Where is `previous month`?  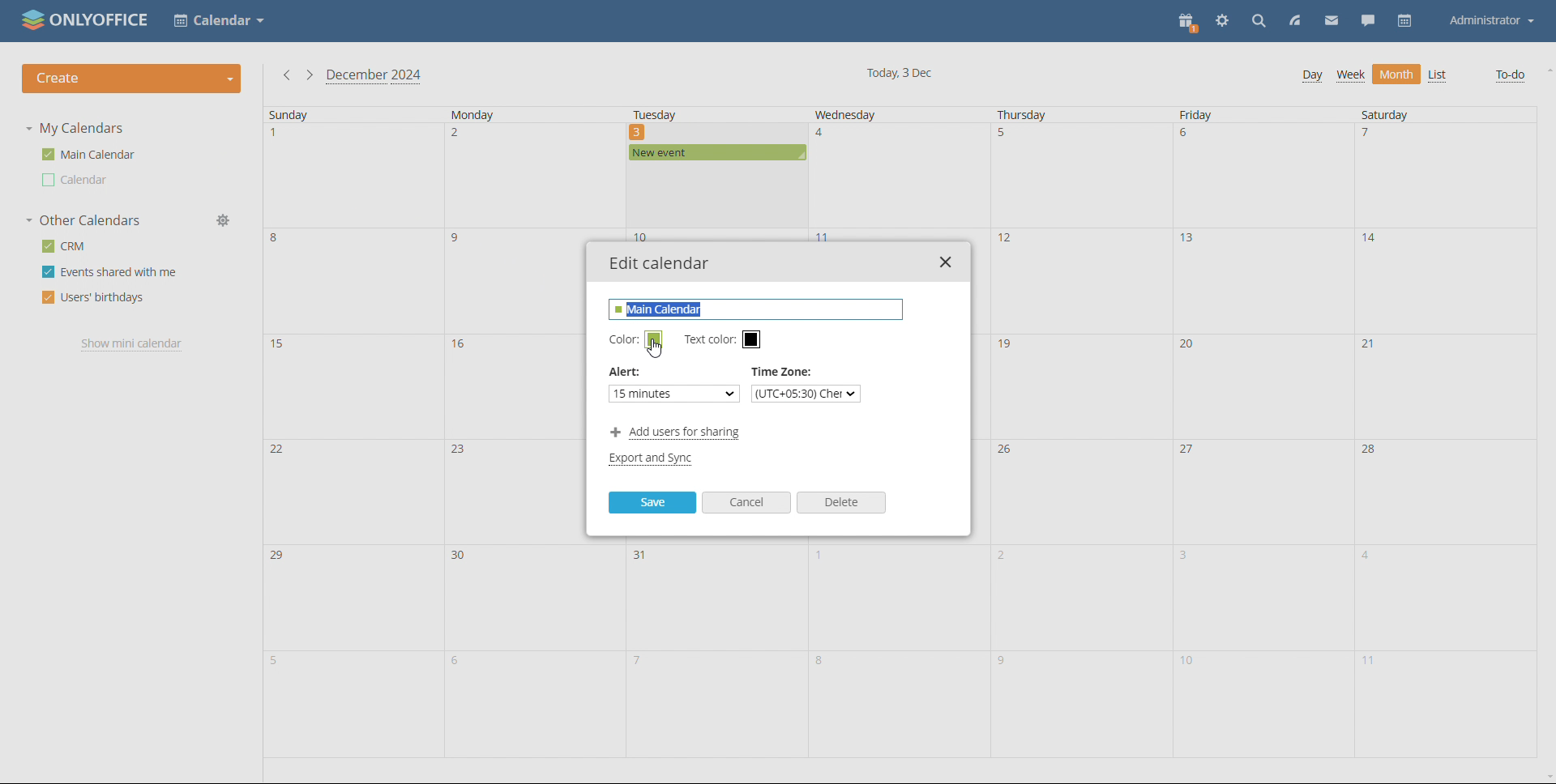 previous month is located at coordinates (284, 75).